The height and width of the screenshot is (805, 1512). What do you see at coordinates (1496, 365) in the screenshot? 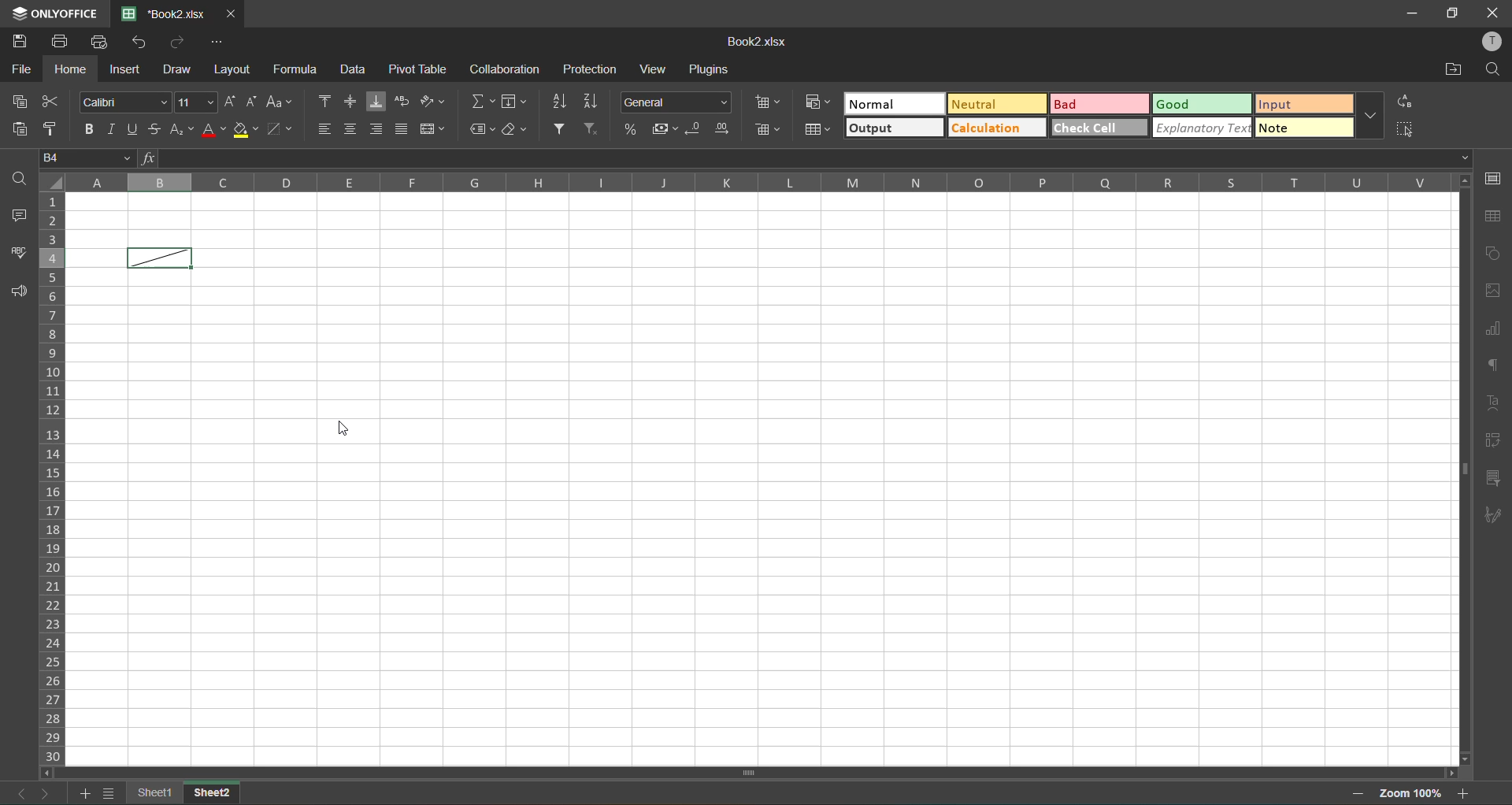
I see `paragraph` at bounding box center [1496, 365].